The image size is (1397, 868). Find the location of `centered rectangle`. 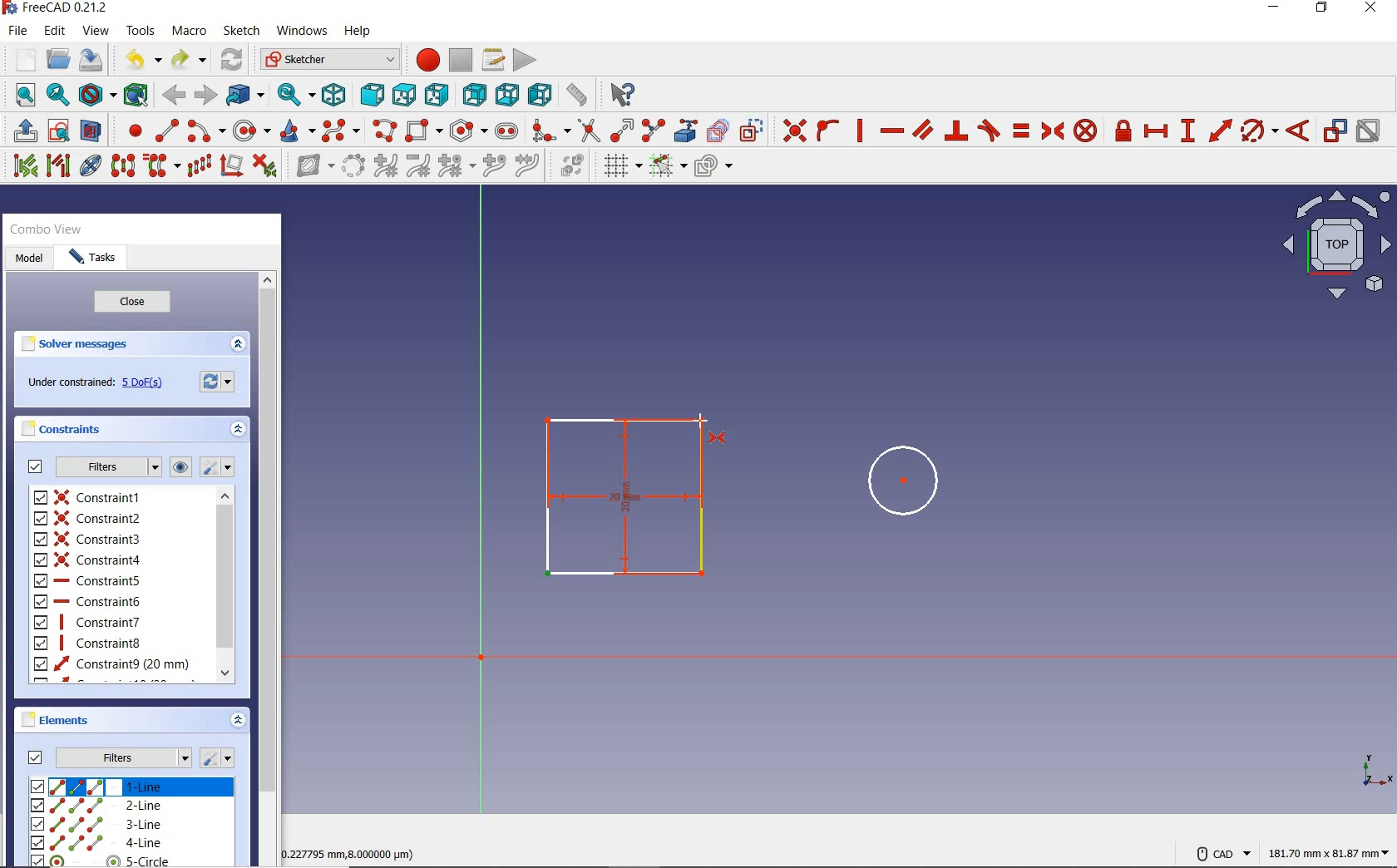

centered rectangle is located at coordinates (624, 499).